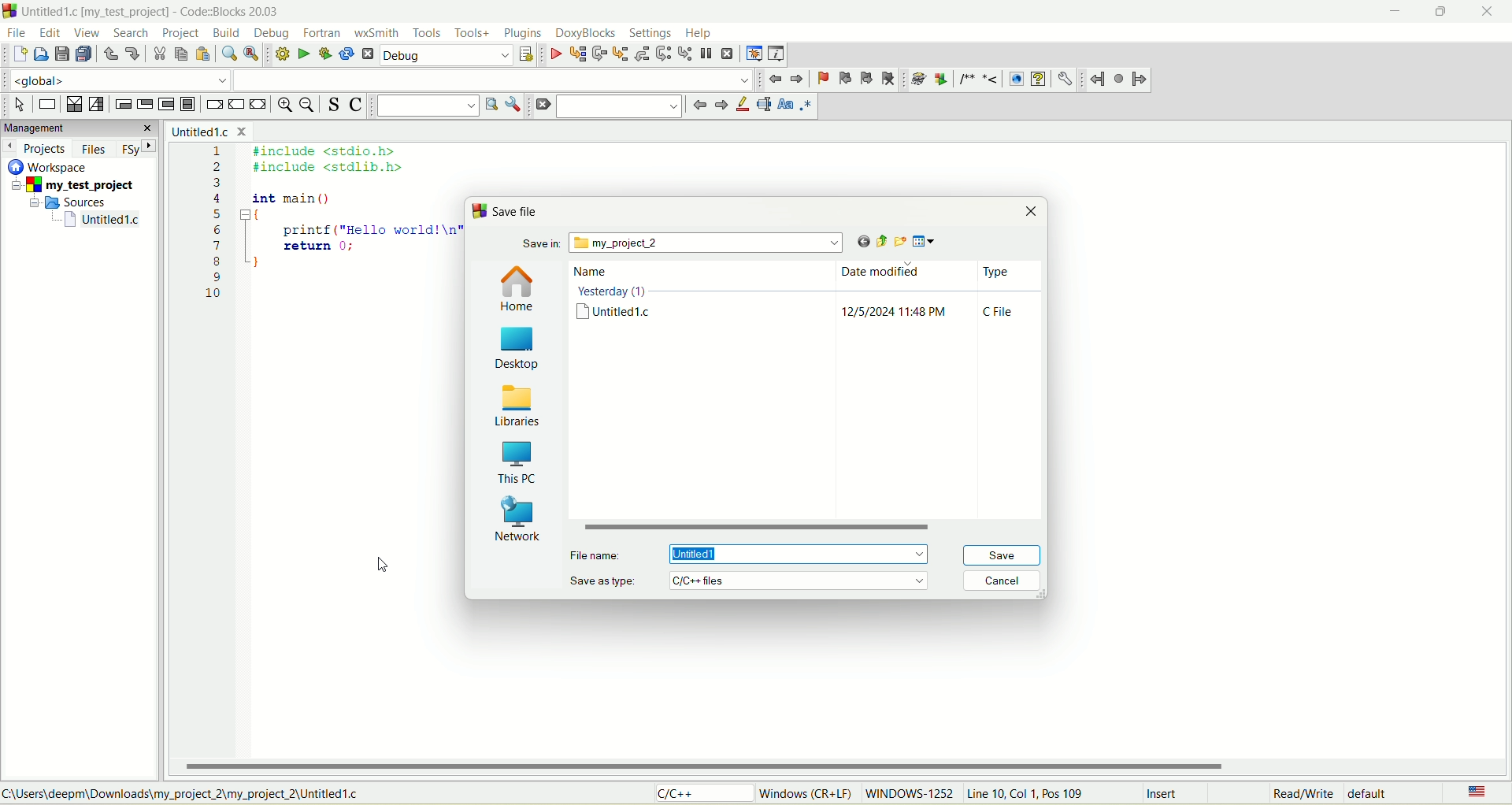 The image size is (1512, 805). I want to click on save as type, so click(752, 580).